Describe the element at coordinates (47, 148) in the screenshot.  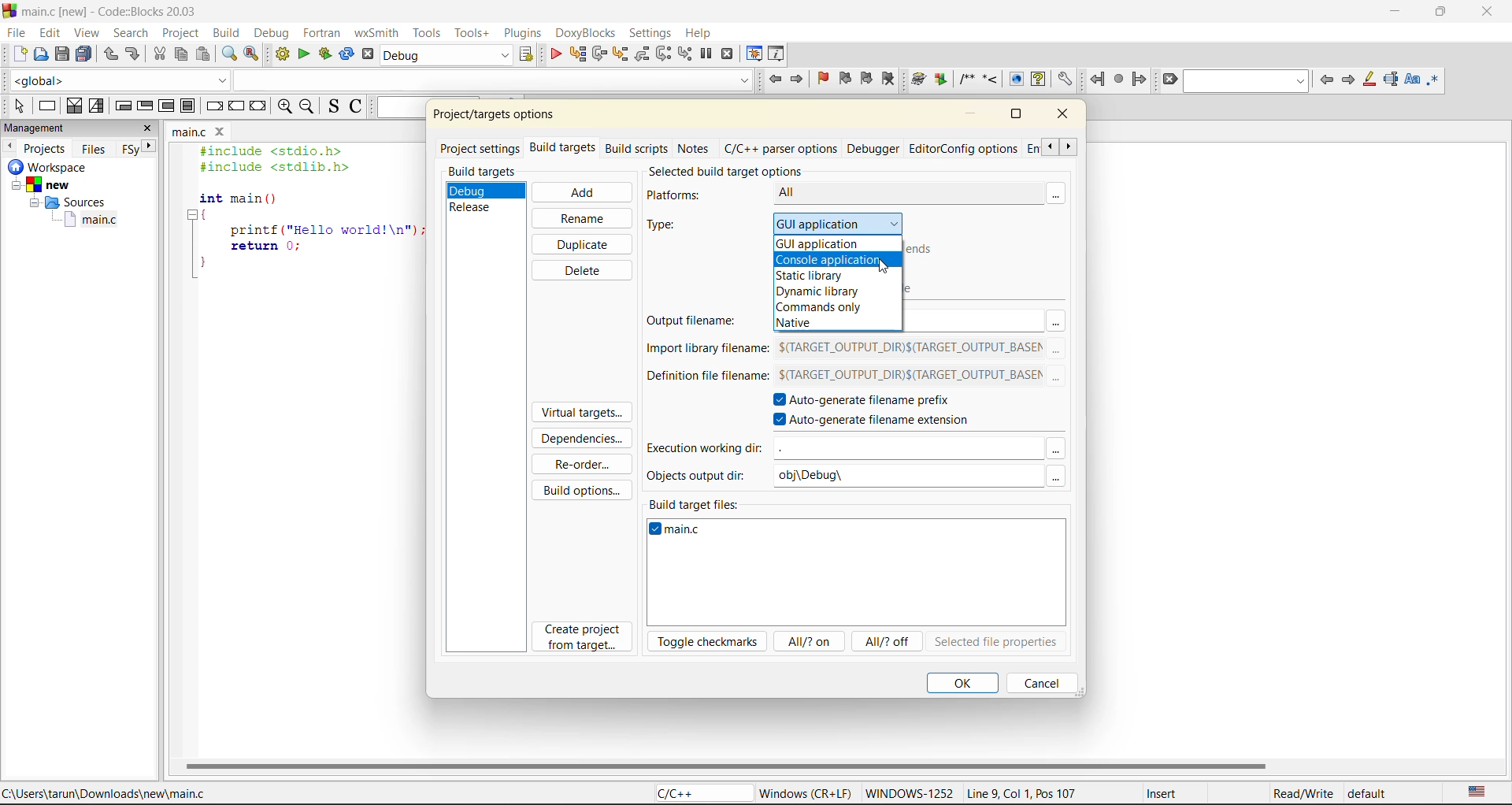
I see `projects` at that location.